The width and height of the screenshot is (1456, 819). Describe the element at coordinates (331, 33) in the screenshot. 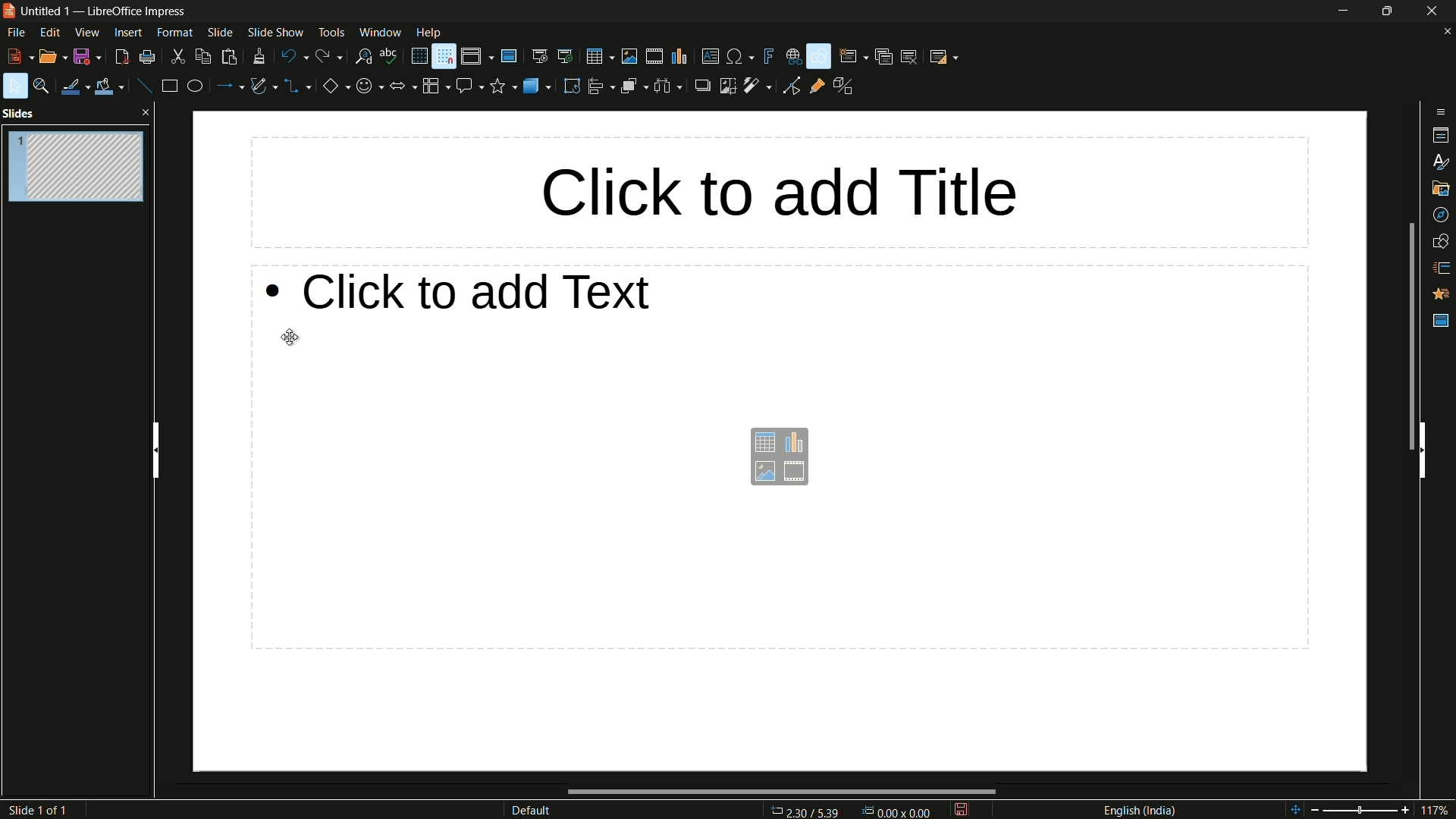

I see `tools menu` at that location.